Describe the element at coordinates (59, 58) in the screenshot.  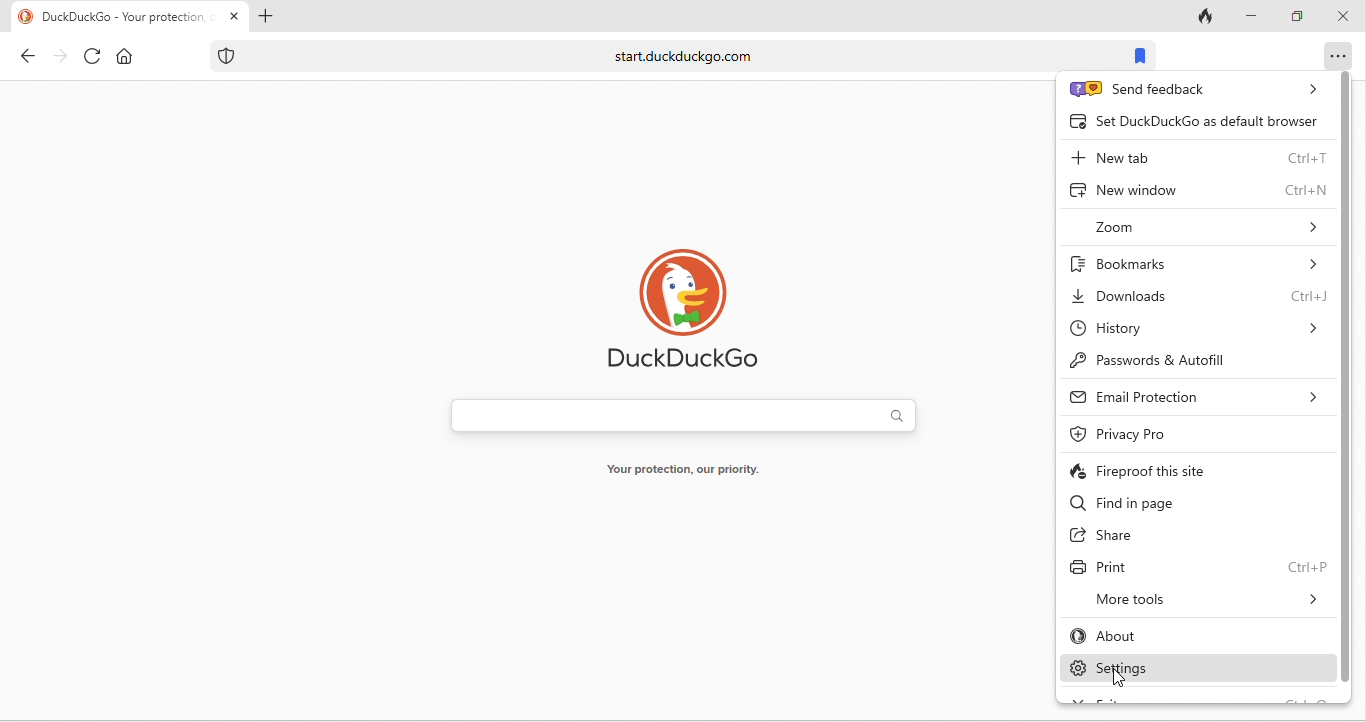
I see `forward` at that location.